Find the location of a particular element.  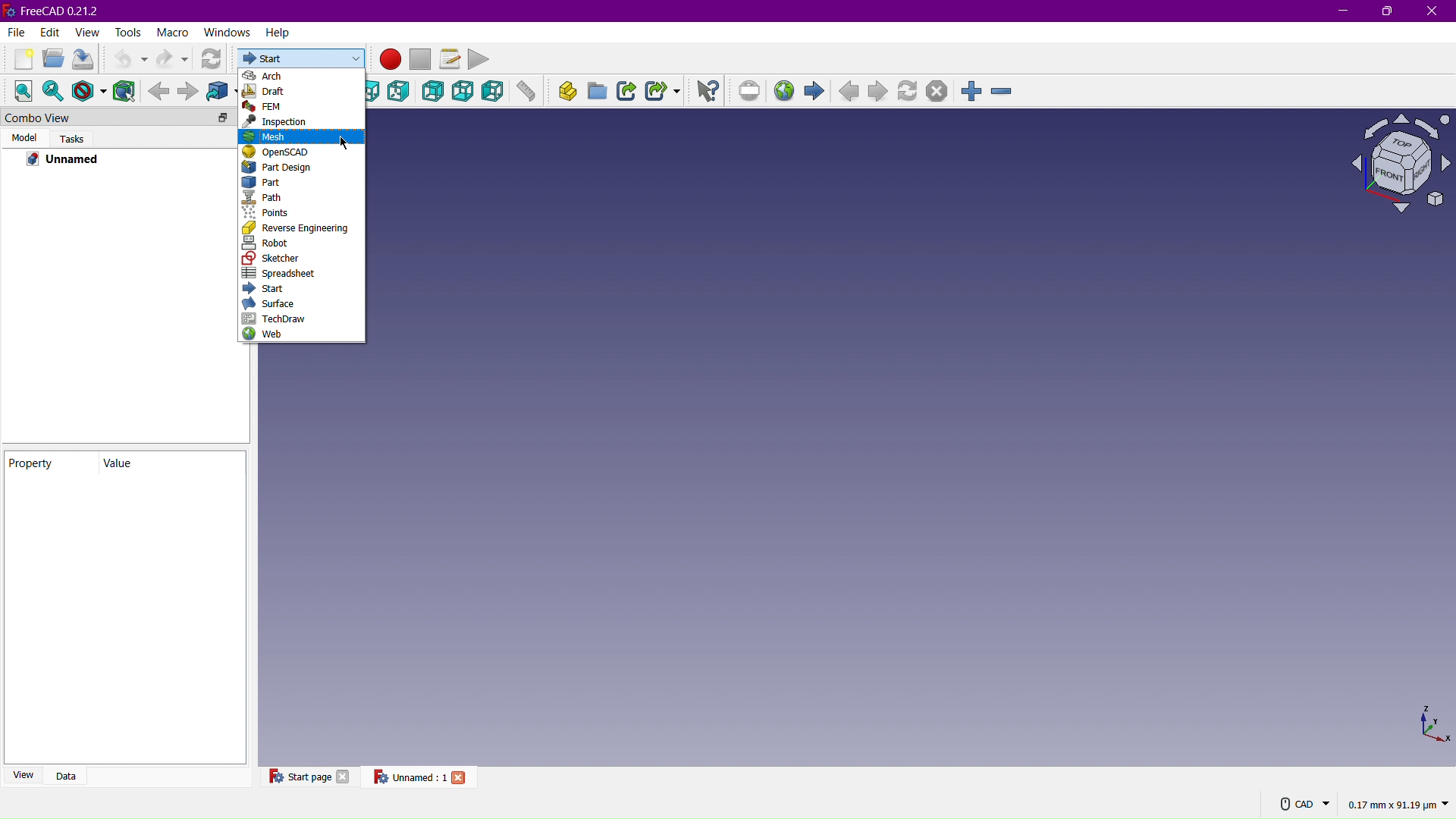

Close is located at coordinates (1432, 11).